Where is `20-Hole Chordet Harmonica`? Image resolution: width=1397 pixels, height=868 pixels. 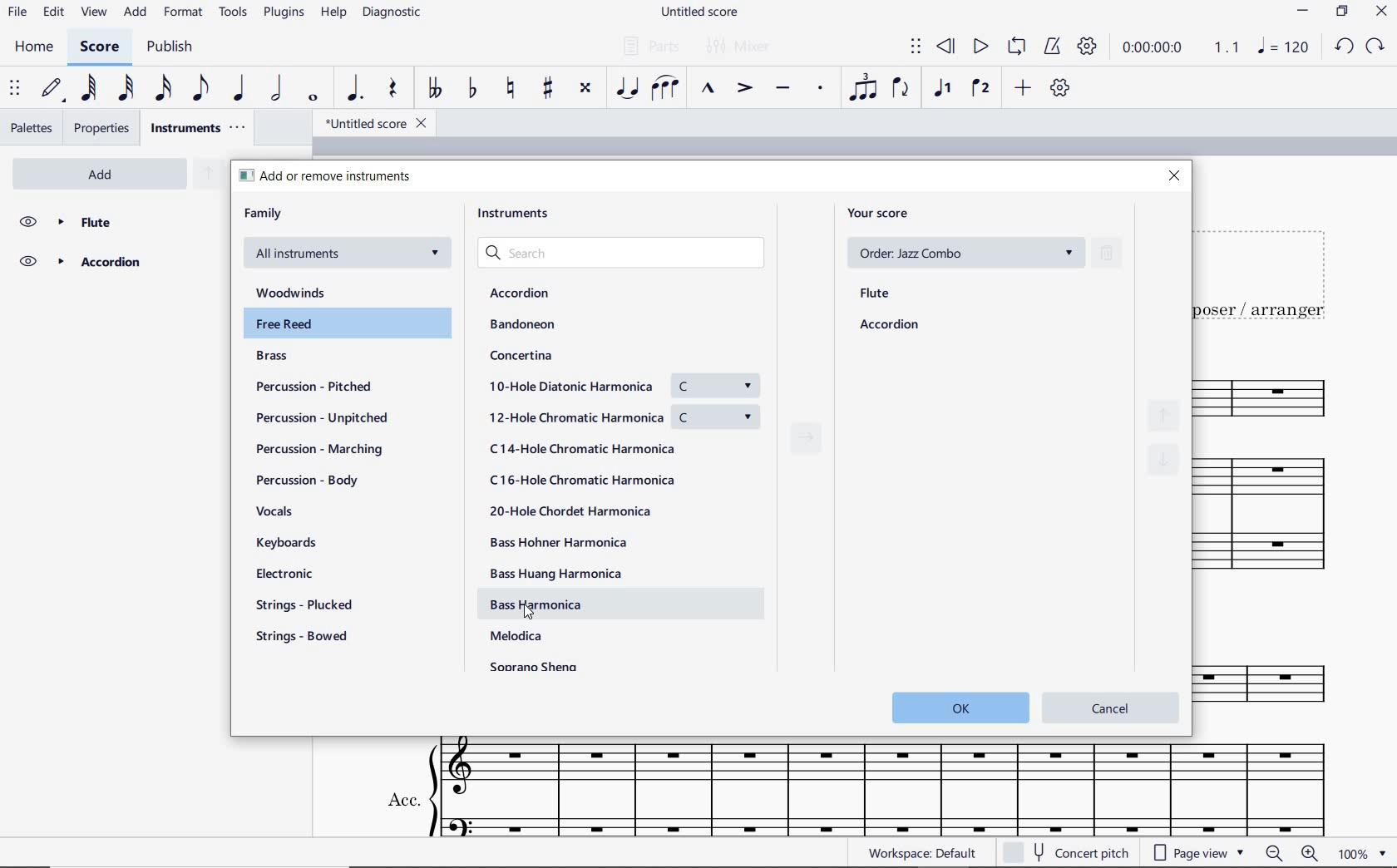
20-Hole Chordet Harmonica is located at coordinates (584, 512).